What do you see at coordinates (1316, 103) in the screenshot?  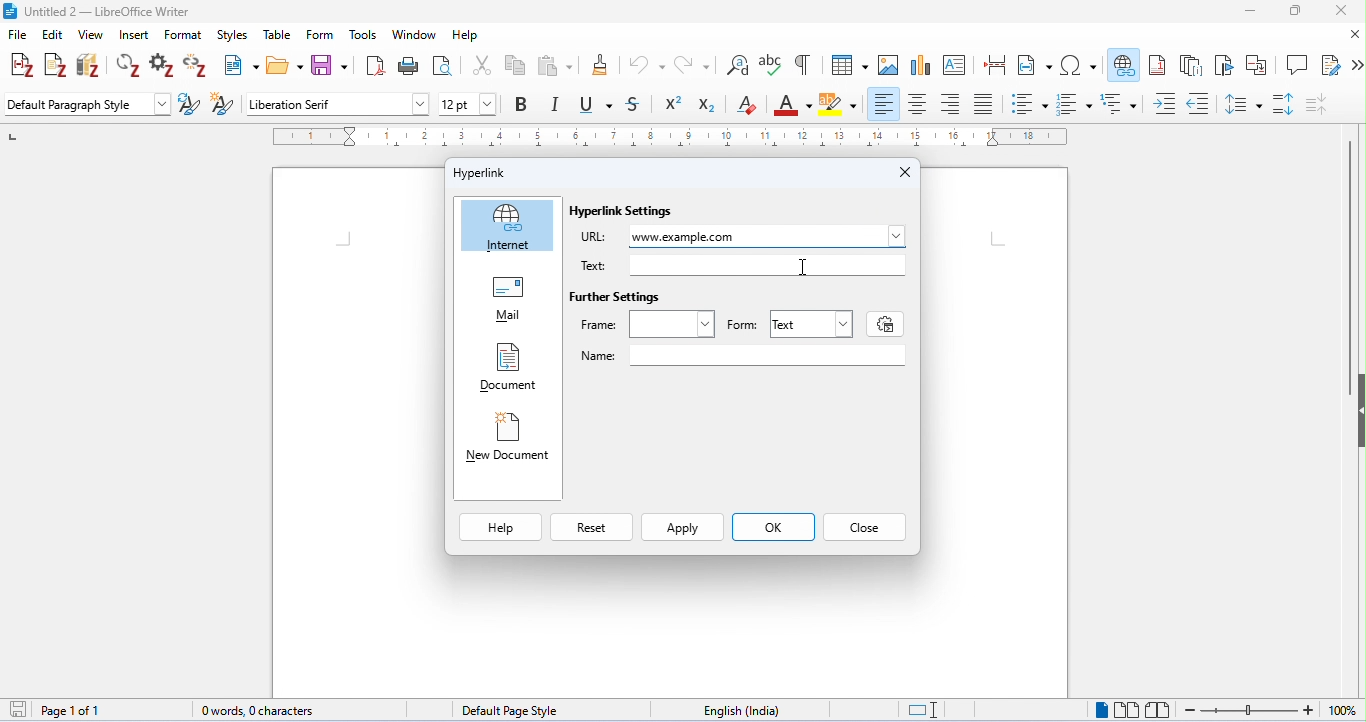 I see `decrease paragraph spacing` at bounding box center [1316, 103].